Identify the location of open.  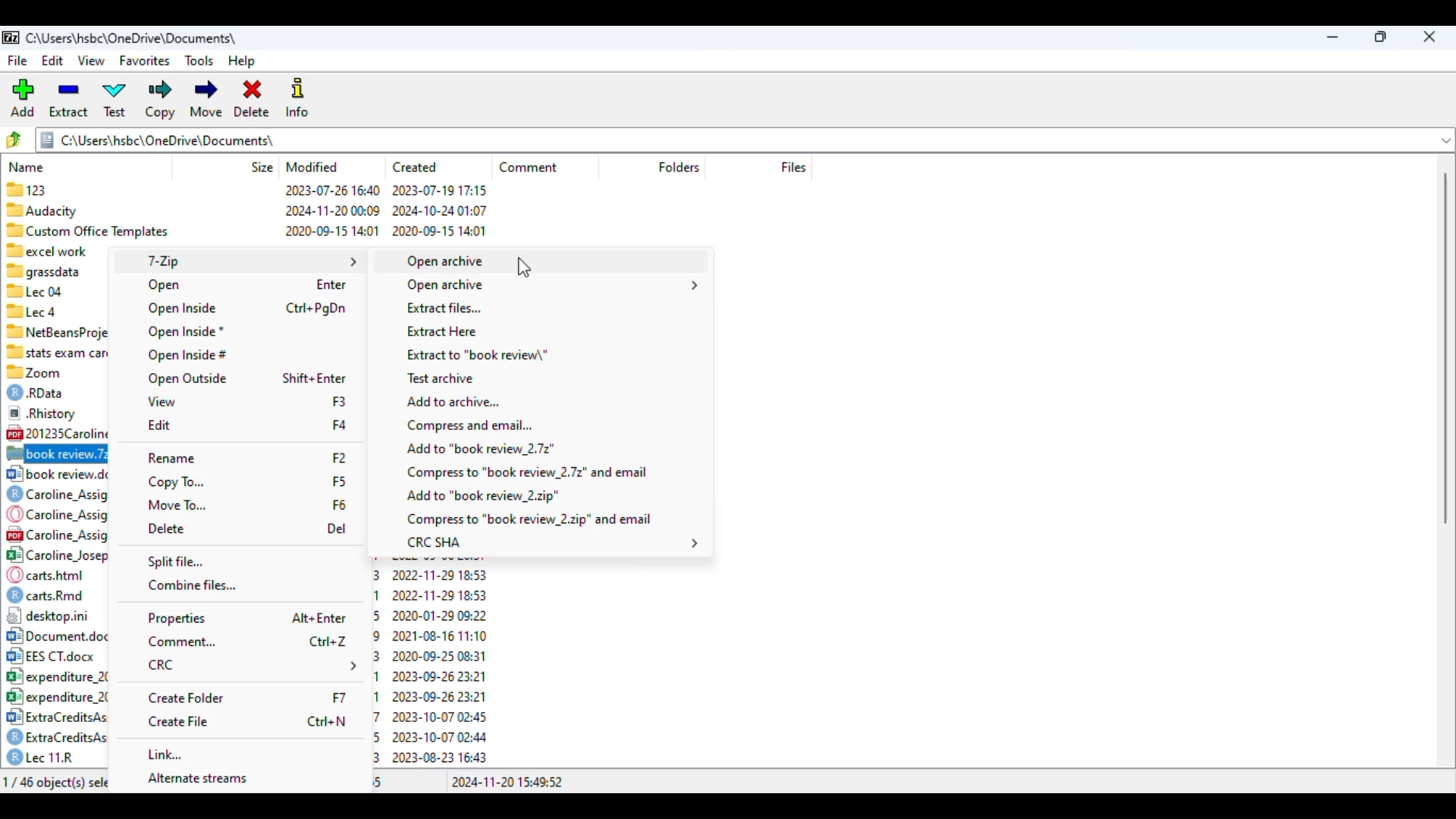
(165, 285).